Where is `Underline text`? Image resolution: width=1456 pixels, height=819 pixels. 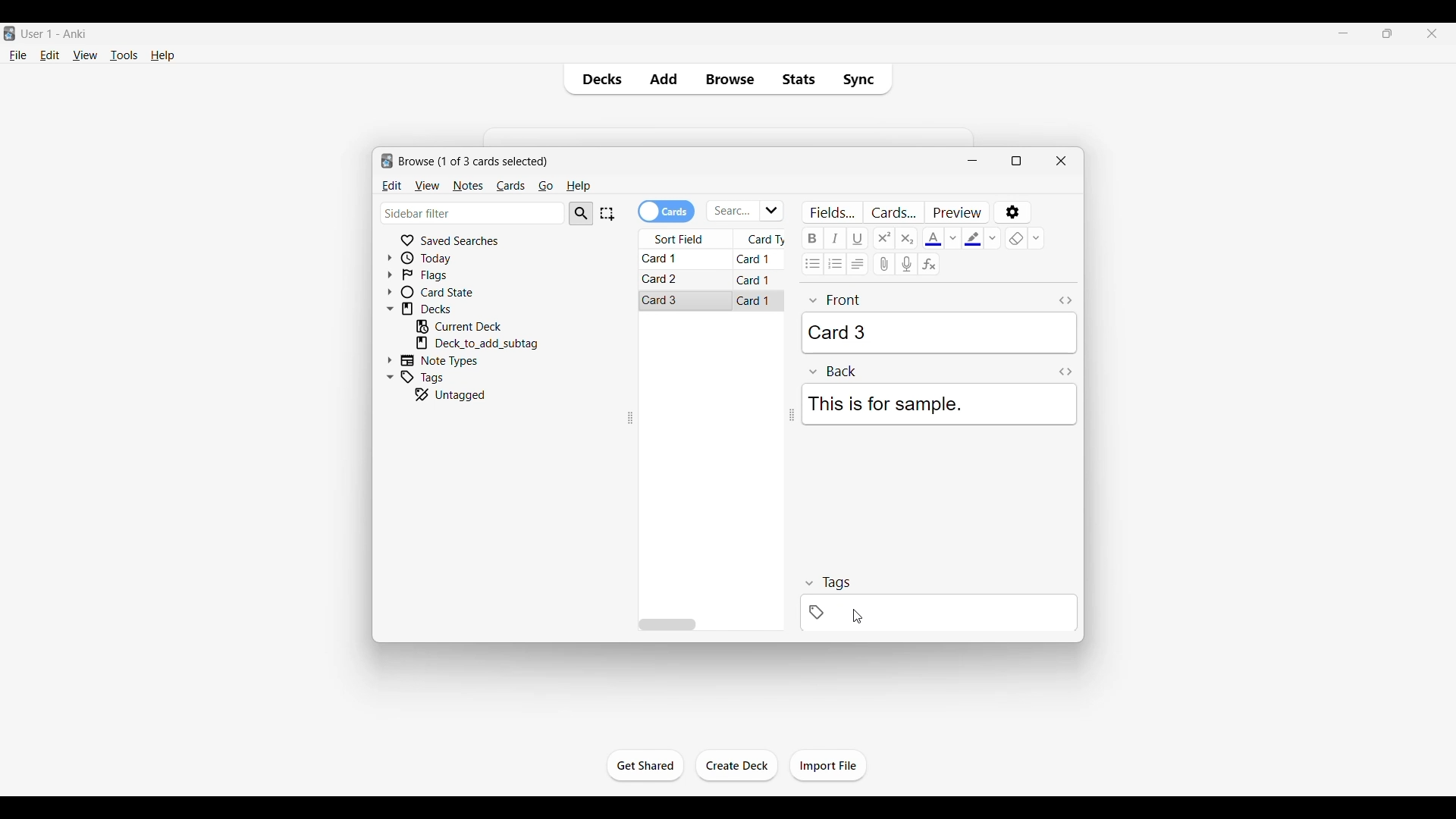
Underline text is located at coordinates (858, 238).